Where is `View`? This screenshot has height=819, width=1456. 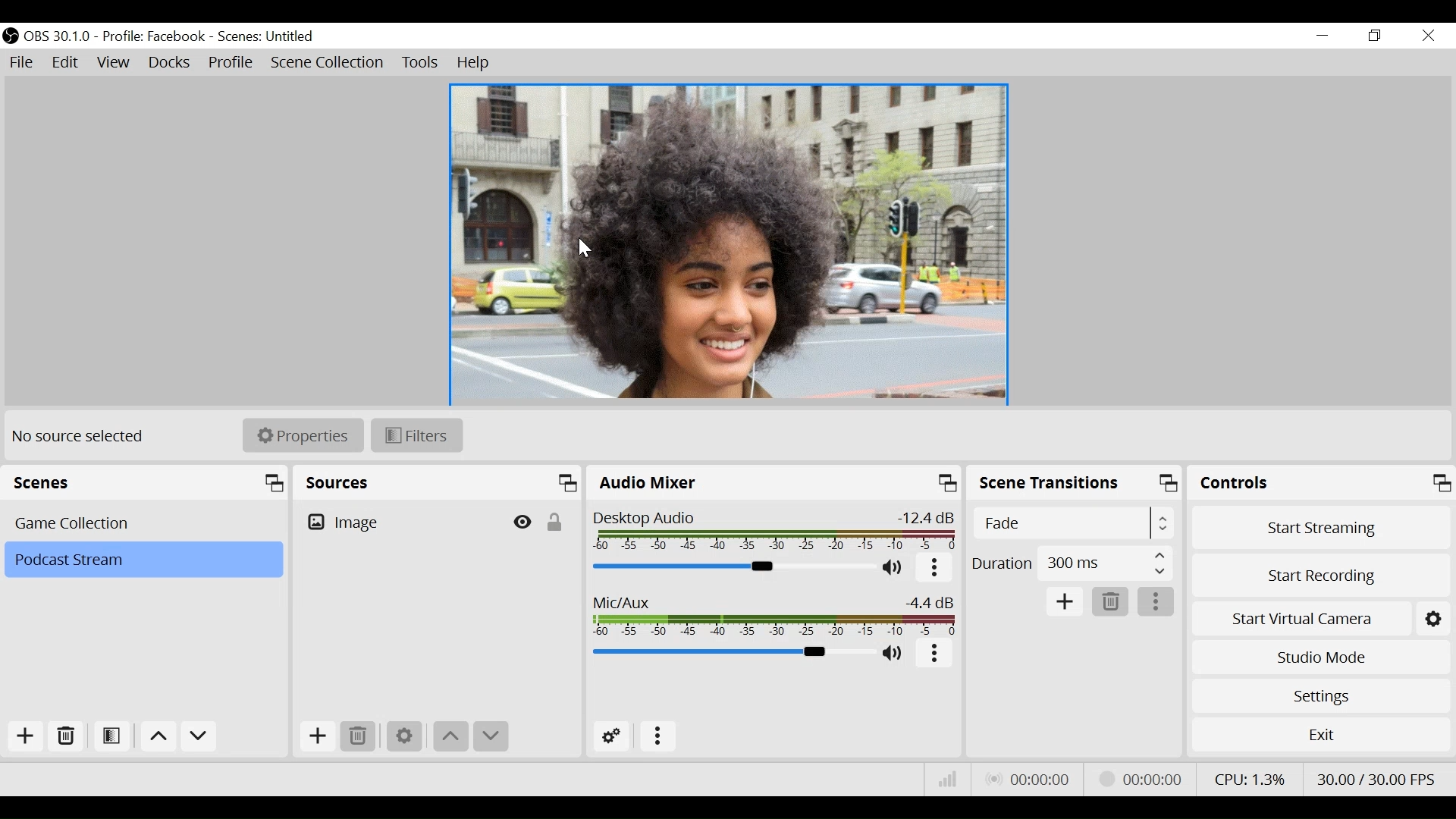
View is located at coordinates (115, 64).